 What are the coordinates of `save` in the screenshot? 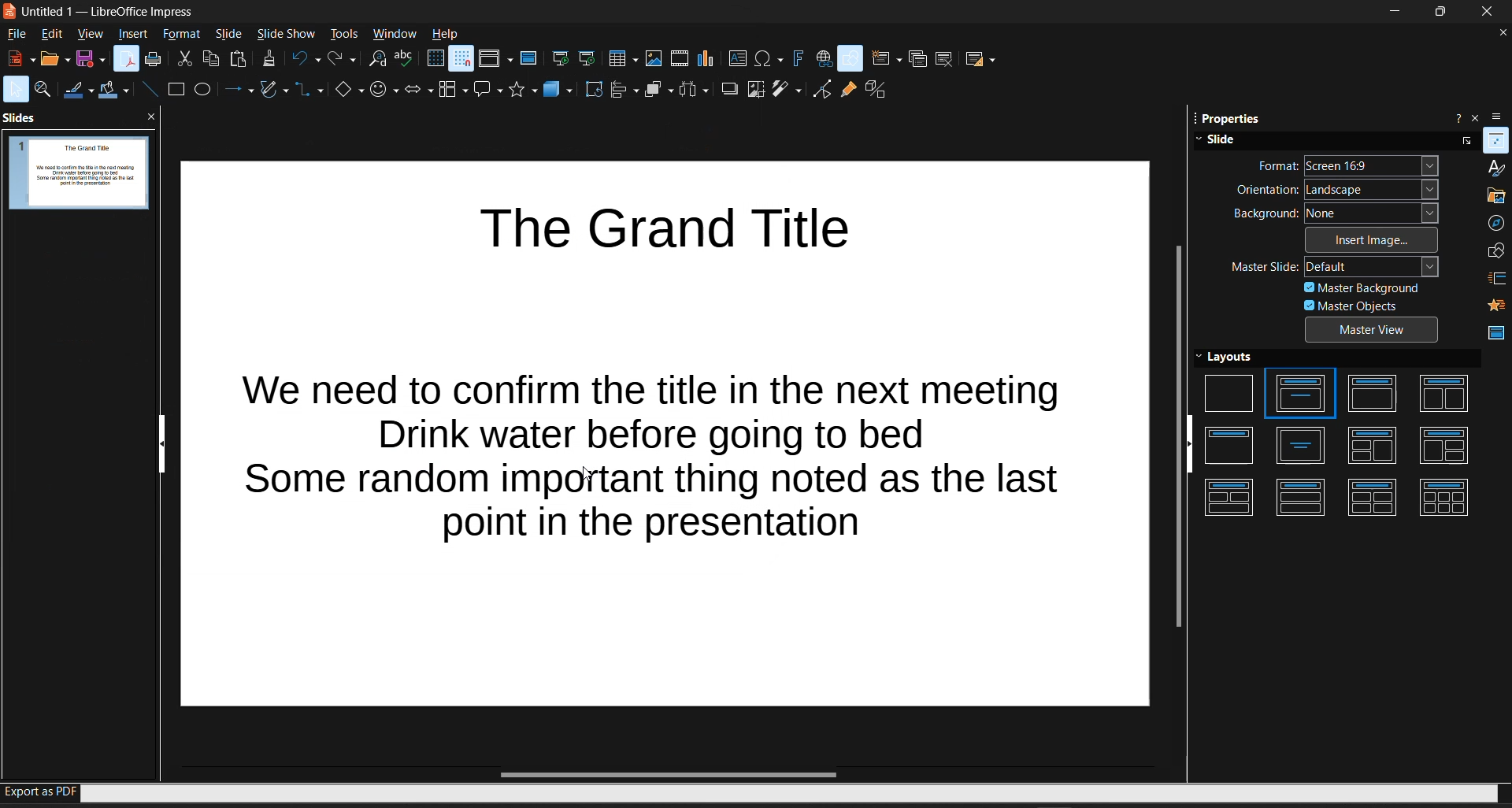 It's located at (89, 59).